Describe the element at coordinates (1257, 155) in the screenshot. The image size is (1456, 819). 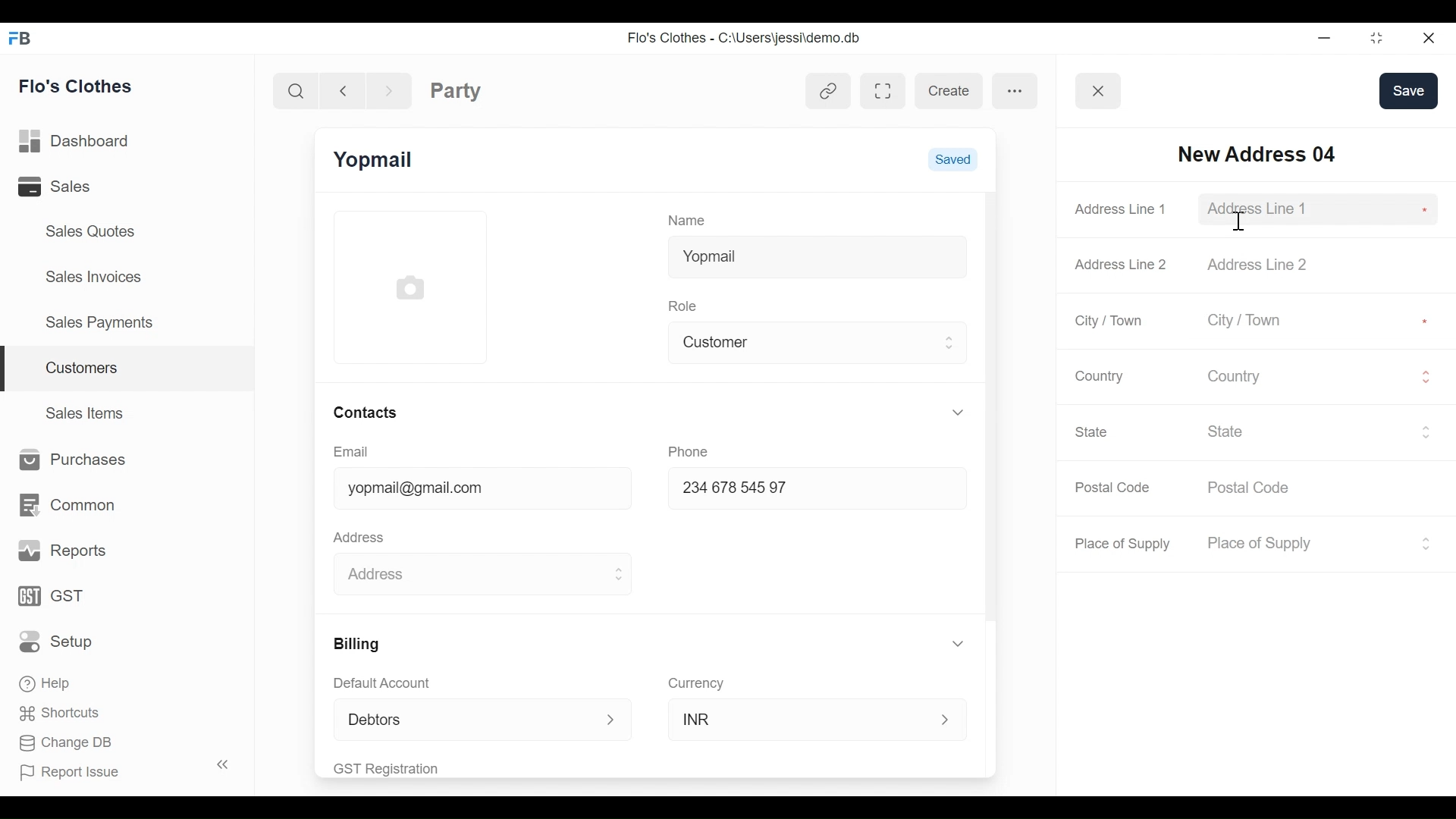
I see `INew Address 04` at that location.